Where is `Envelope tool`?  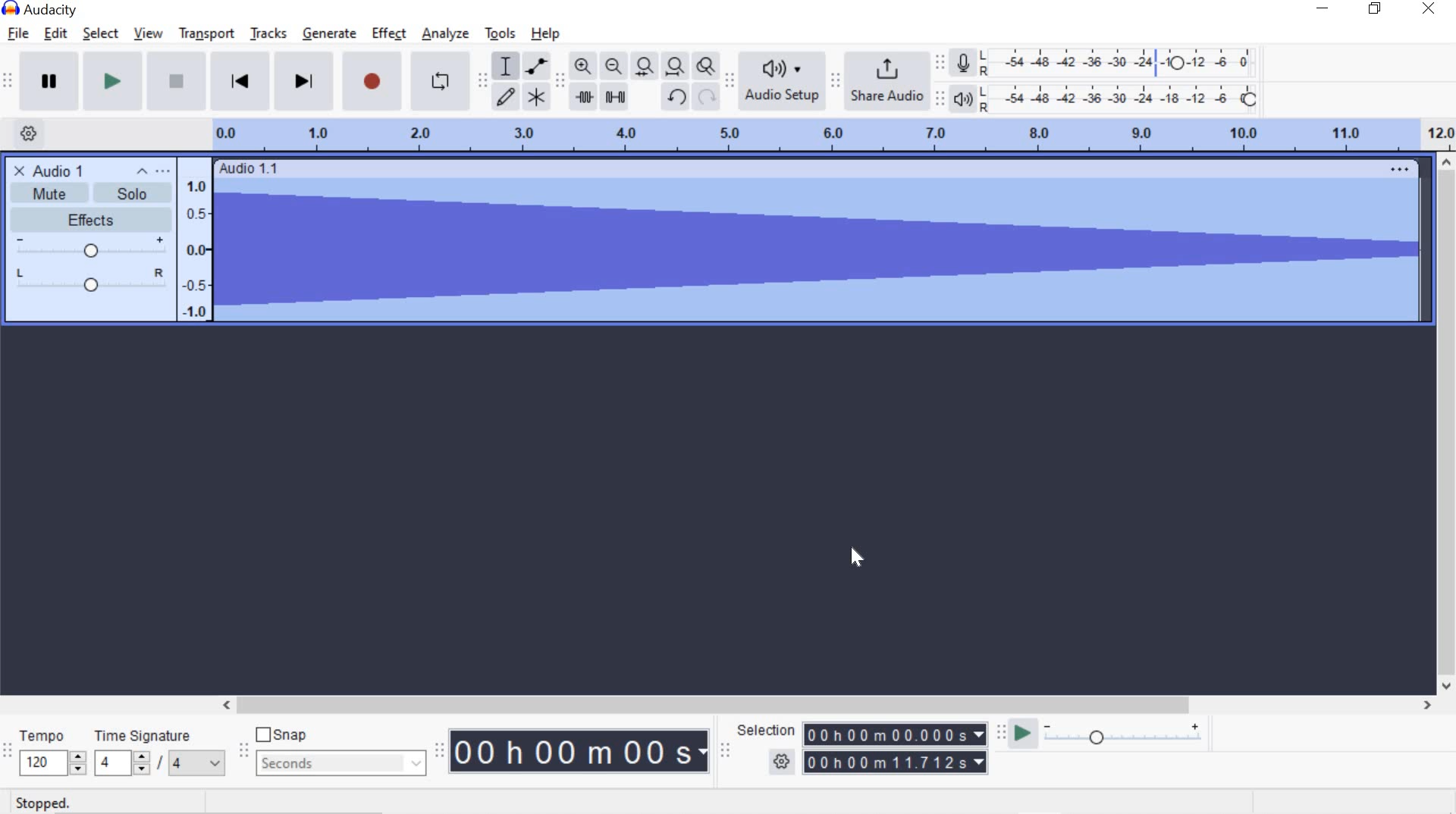
Envelope tool is located at coordinates (534, 66).